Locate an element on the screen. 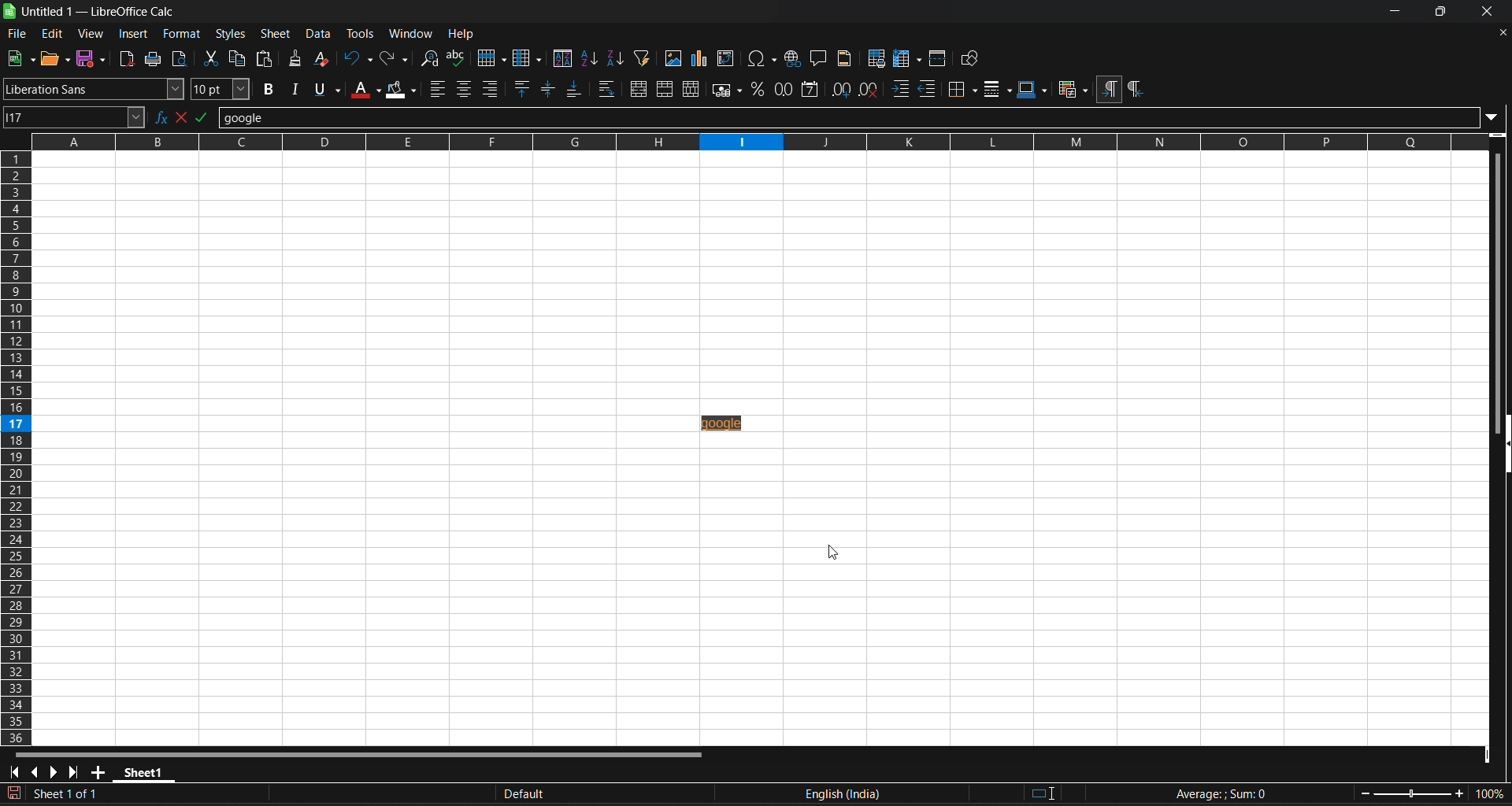 The width and height of the screenshot is (1512, 806). font name is located at coordinates (94, 88).